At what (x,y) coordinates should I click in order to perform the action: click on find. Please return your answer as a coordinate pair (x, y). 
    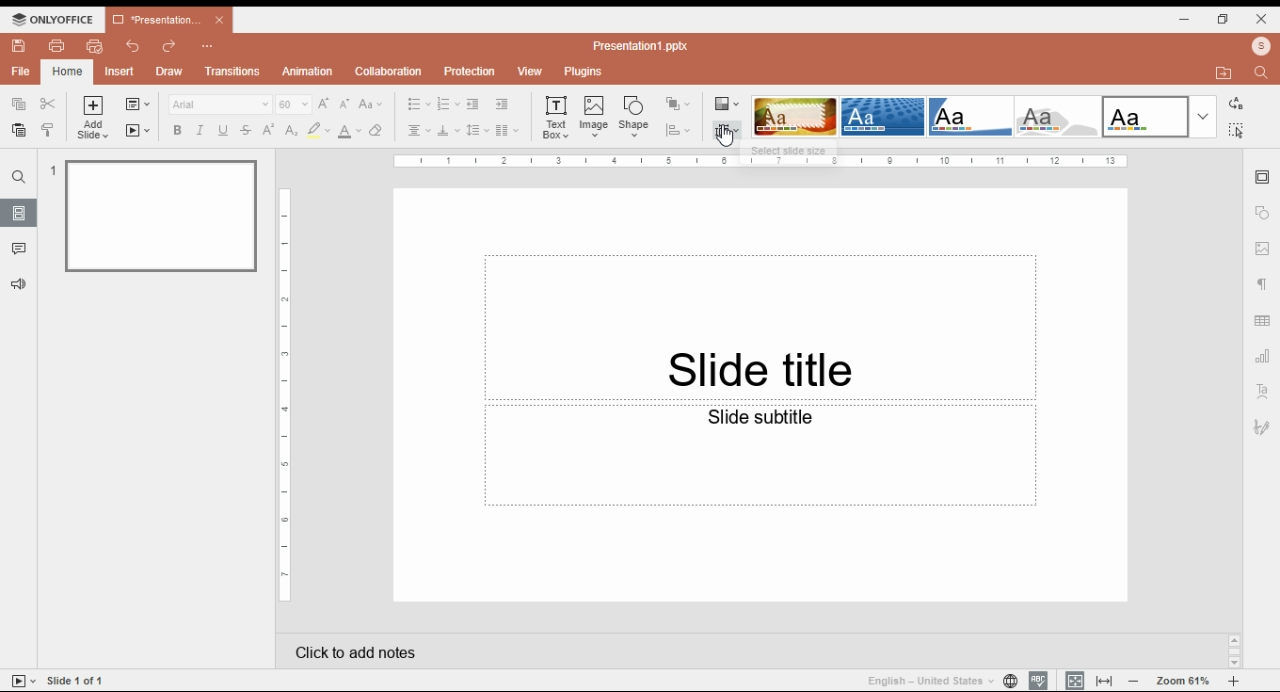
    Looking at the image, I should click on (1235, 130).